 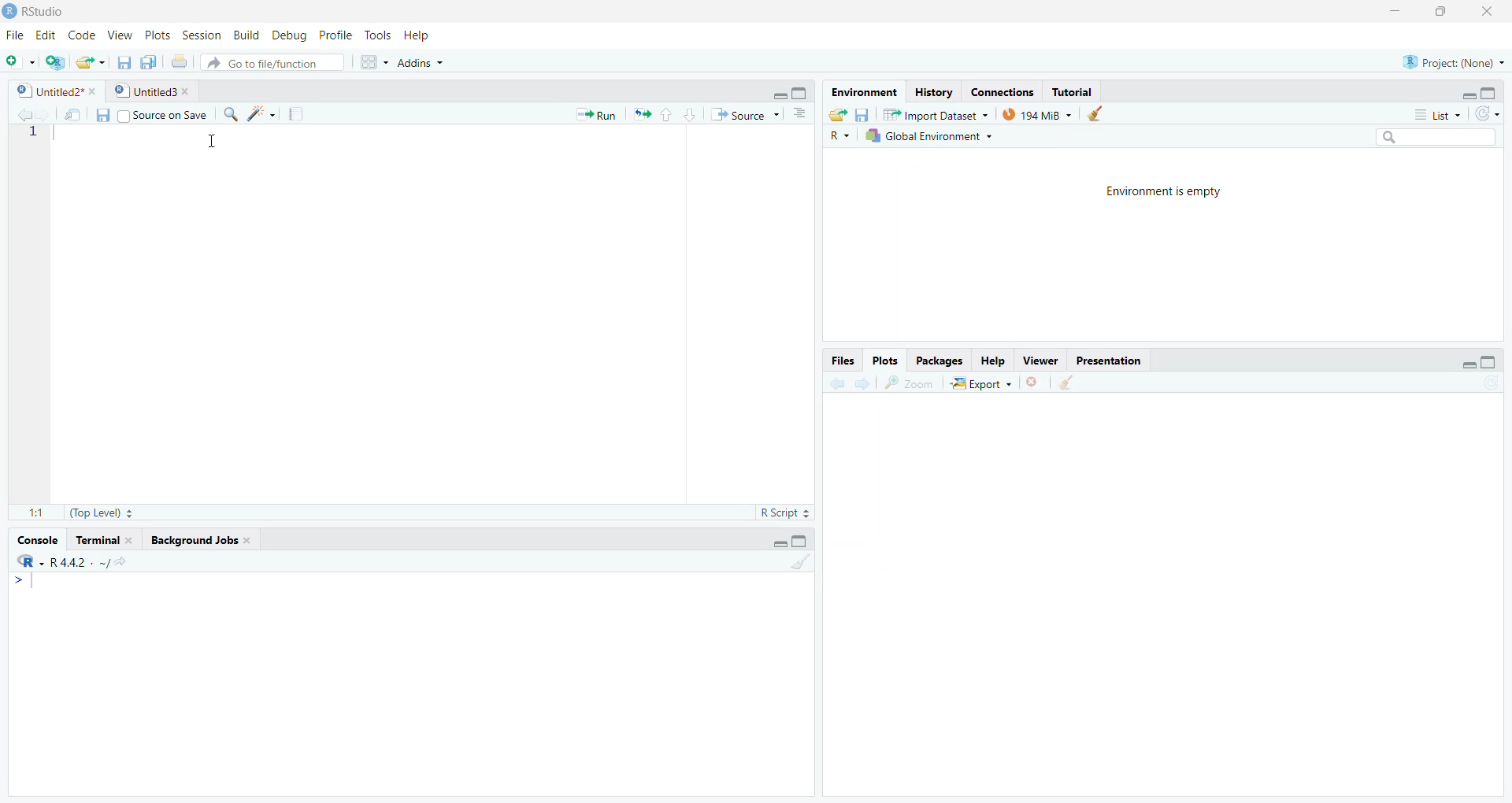 I want to click on Presentation, so click(x=1110, y=359).